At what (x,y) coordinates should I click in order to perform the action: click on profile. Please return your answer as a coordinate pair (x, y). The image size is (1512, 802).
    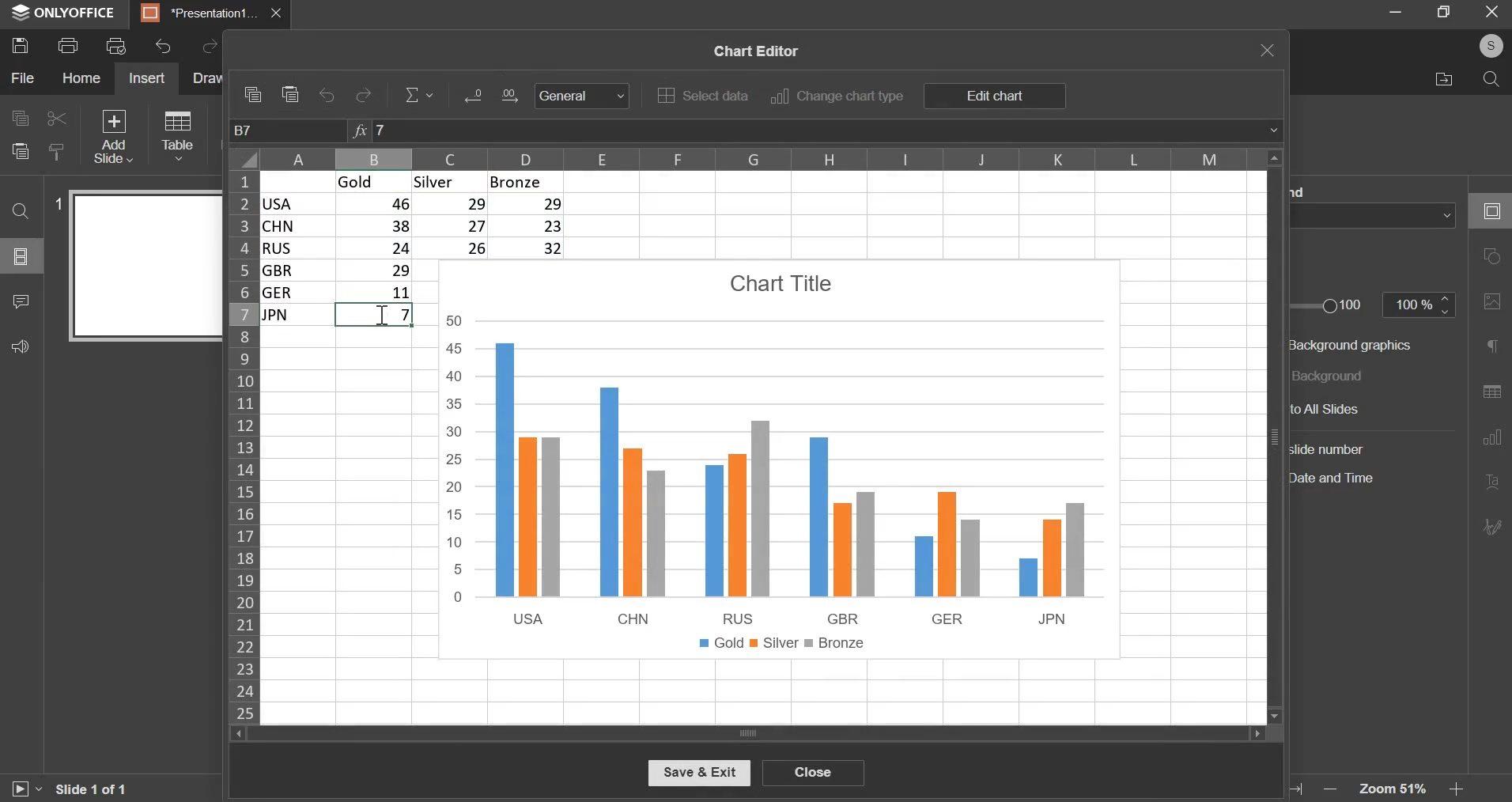
    Looking at the image, I should click on (1490, 44).